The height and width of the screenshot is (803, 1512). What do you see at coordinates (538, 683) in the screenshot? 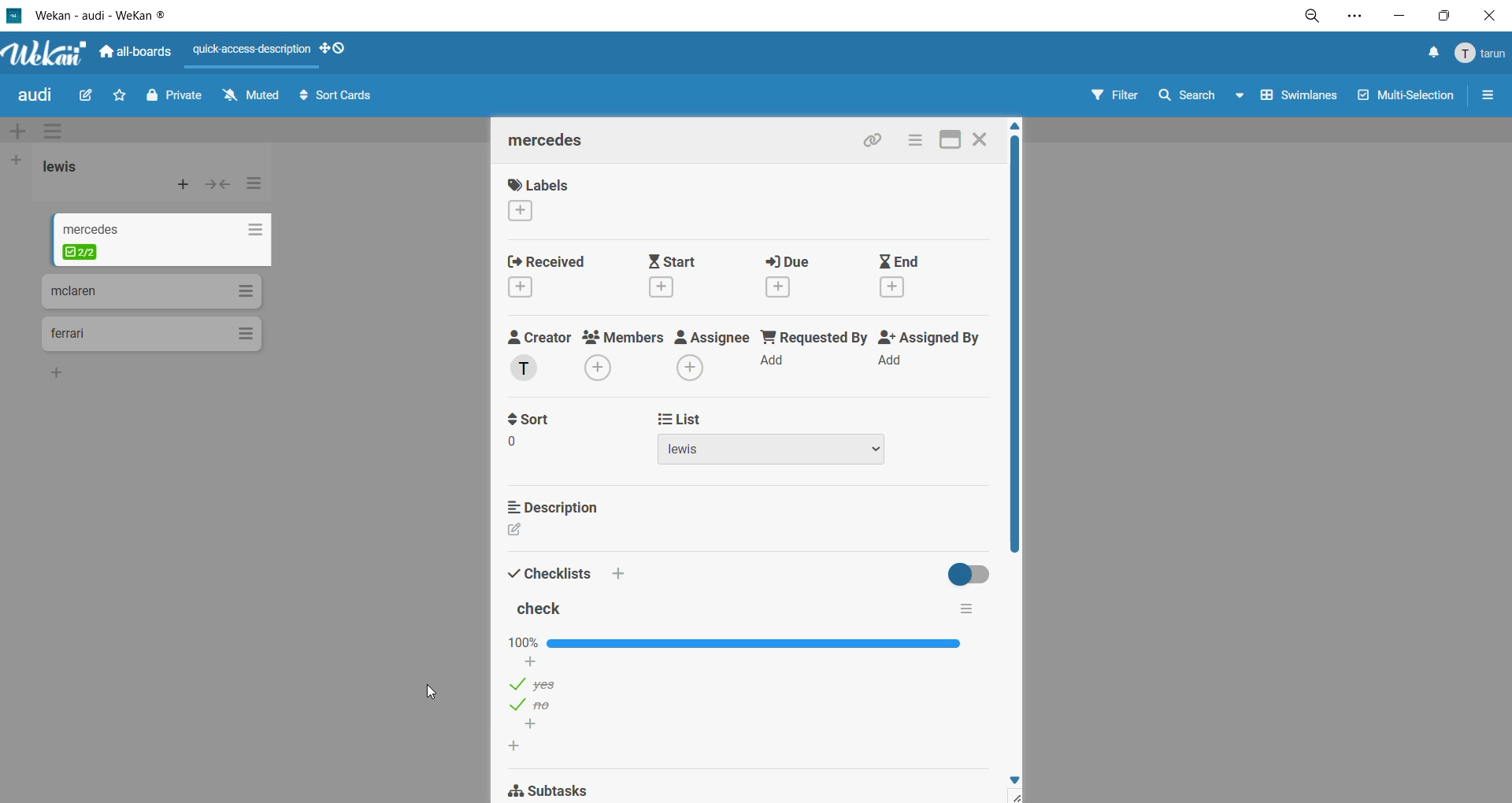
I see `yes` at bounding box center [538, 683].